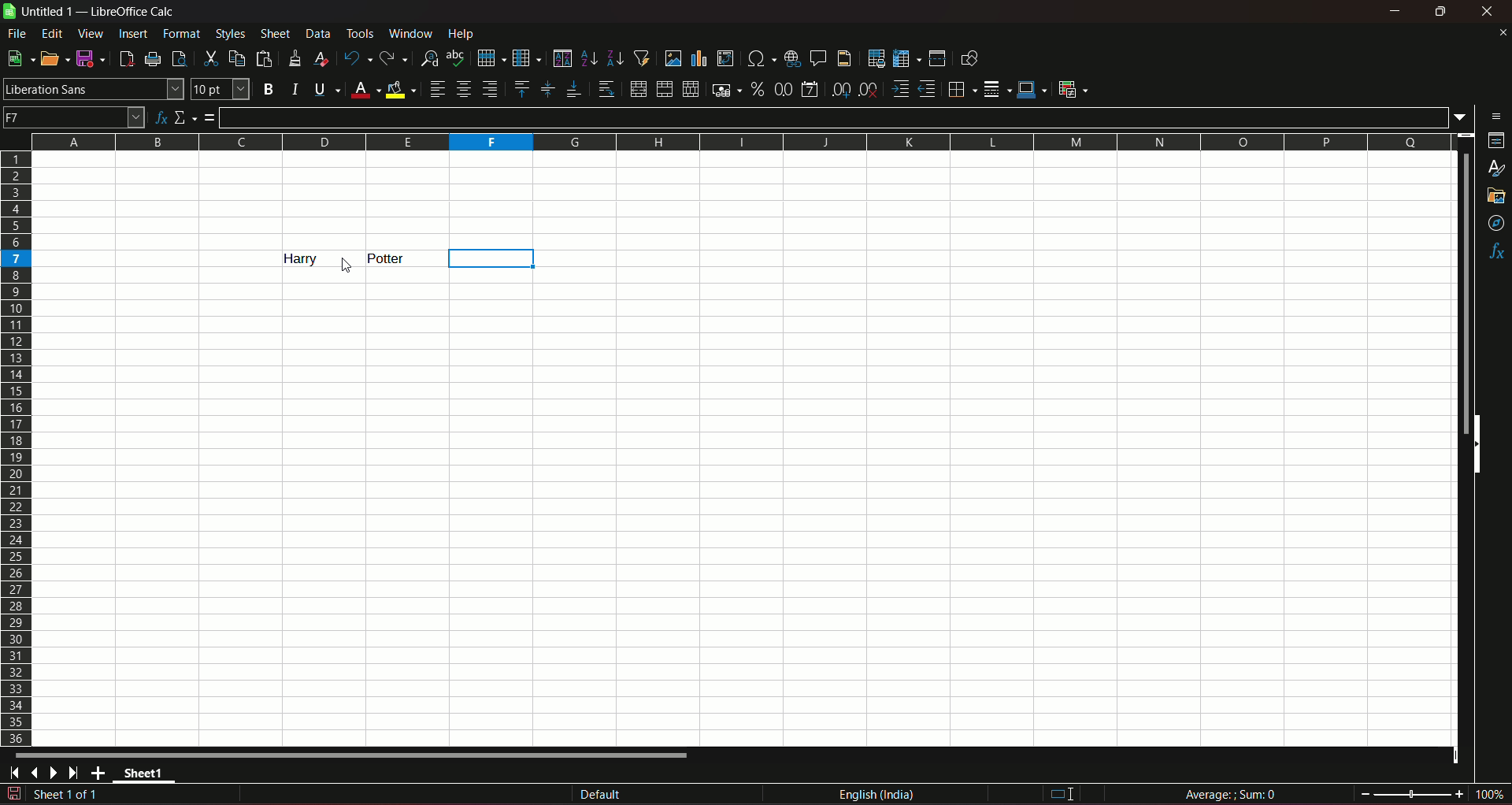 This screenshot has height=805, width=1512. What do you see at coordinates (51, 58) in the screenshot?
I see `open` at bounding box center [51, 58].